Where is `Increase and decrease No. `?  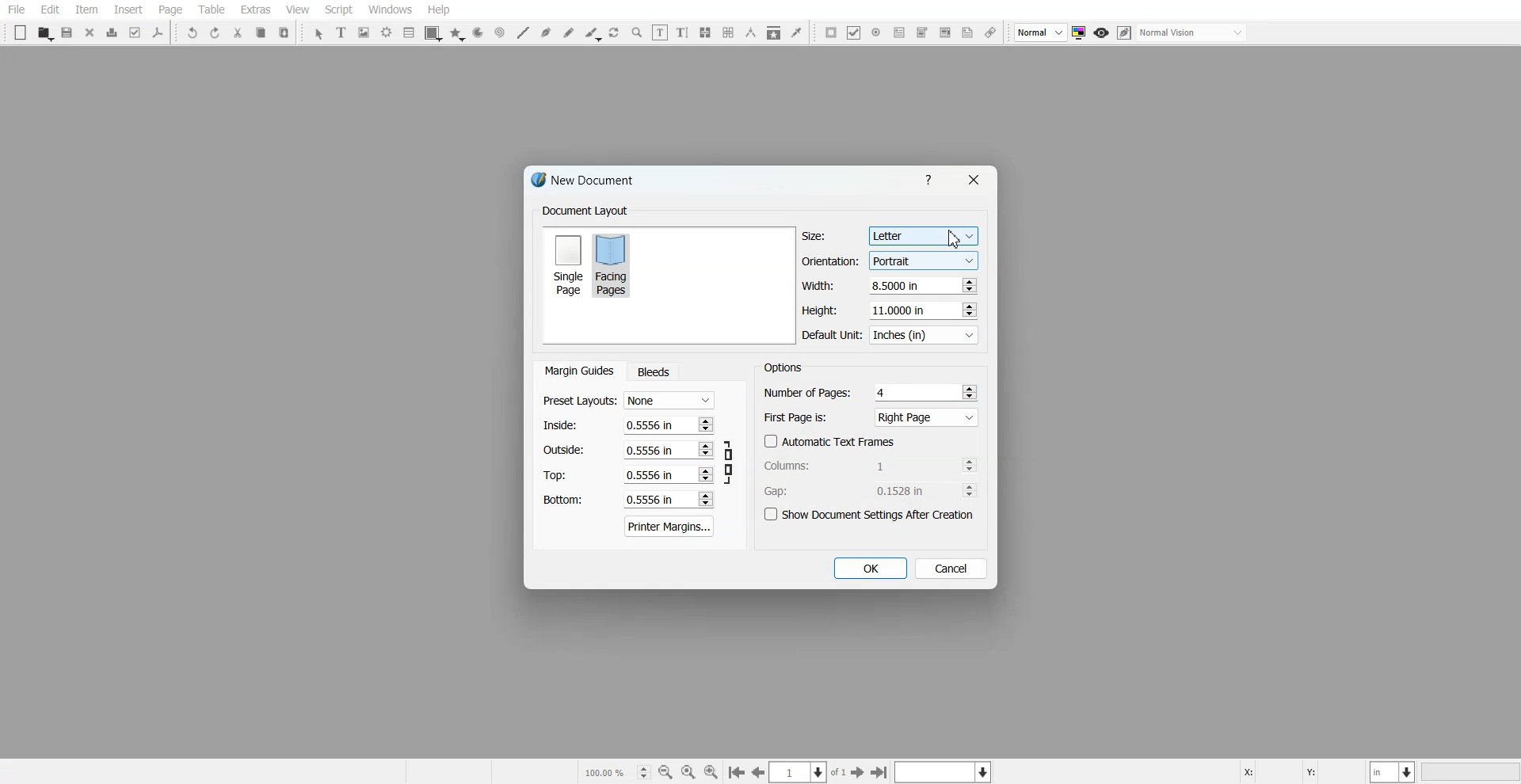 Increase and decrease No.  is located at coordinates (968, 285).